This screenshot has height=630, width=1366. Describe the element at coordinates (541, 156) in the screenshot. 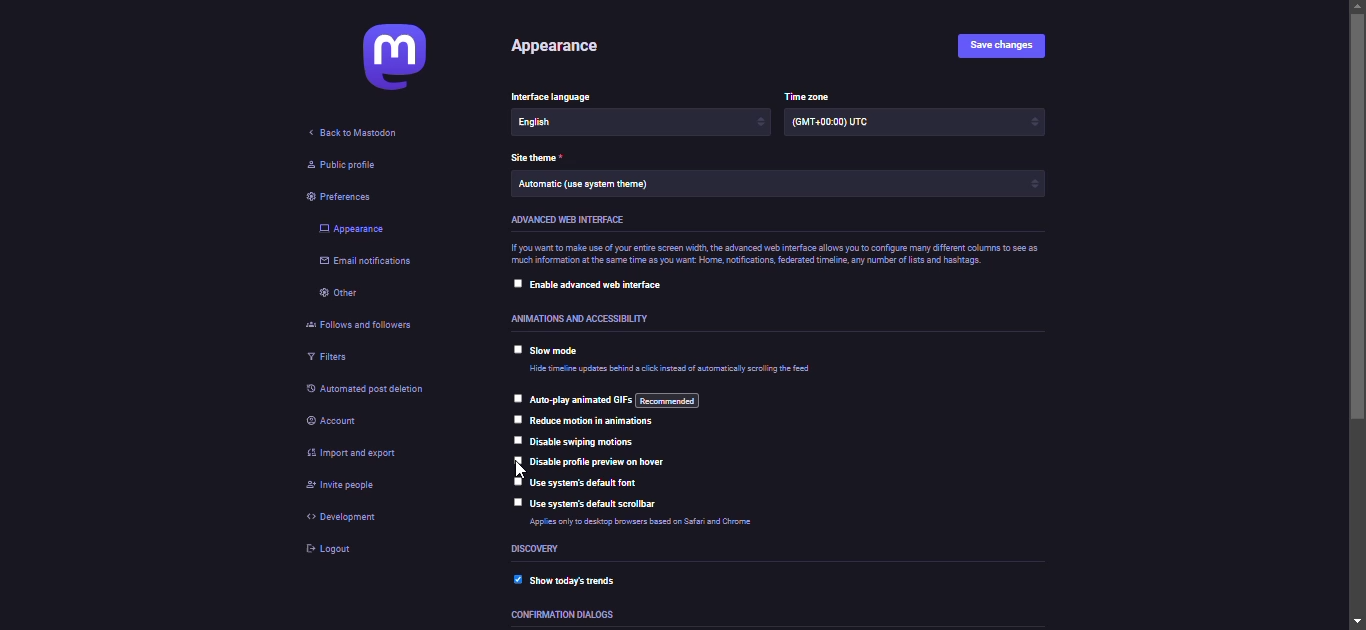

I see `theme` at that location.